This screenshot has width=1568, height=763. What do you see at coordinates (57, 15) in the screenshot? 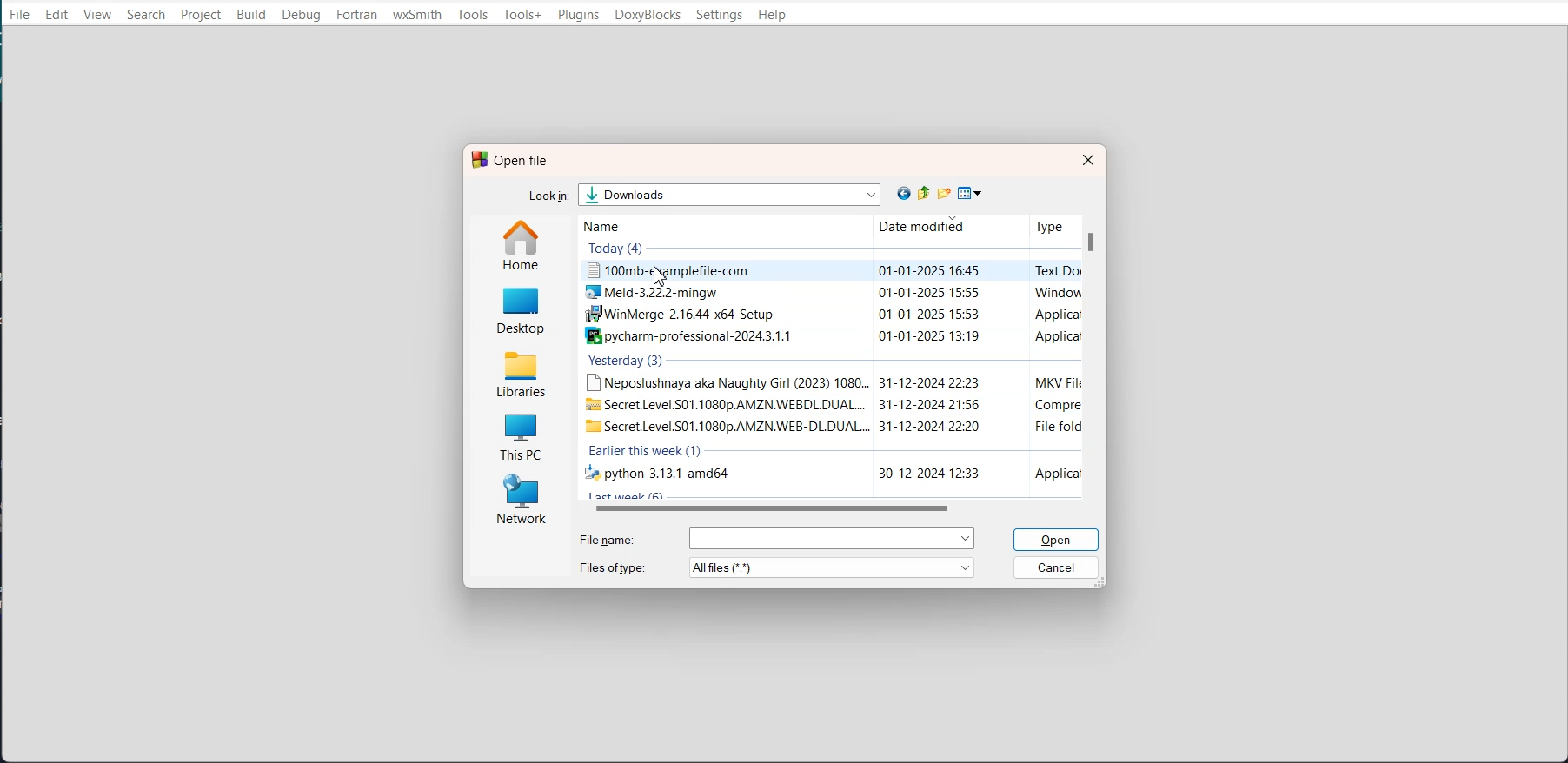
I see `Edit` at bounding box center [57, 15].